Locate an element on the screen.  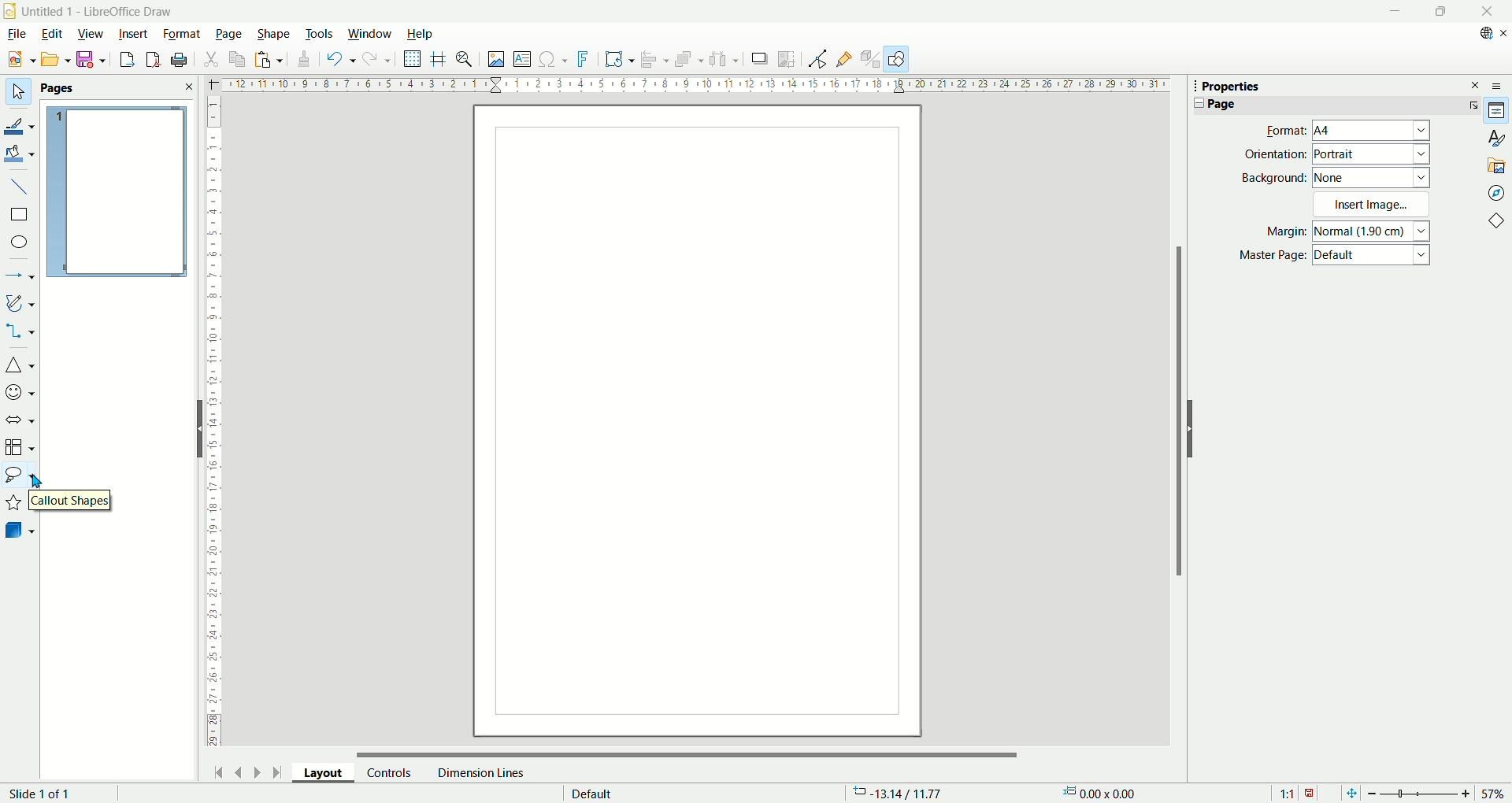
Margin is located at coordinates (1281, 233).